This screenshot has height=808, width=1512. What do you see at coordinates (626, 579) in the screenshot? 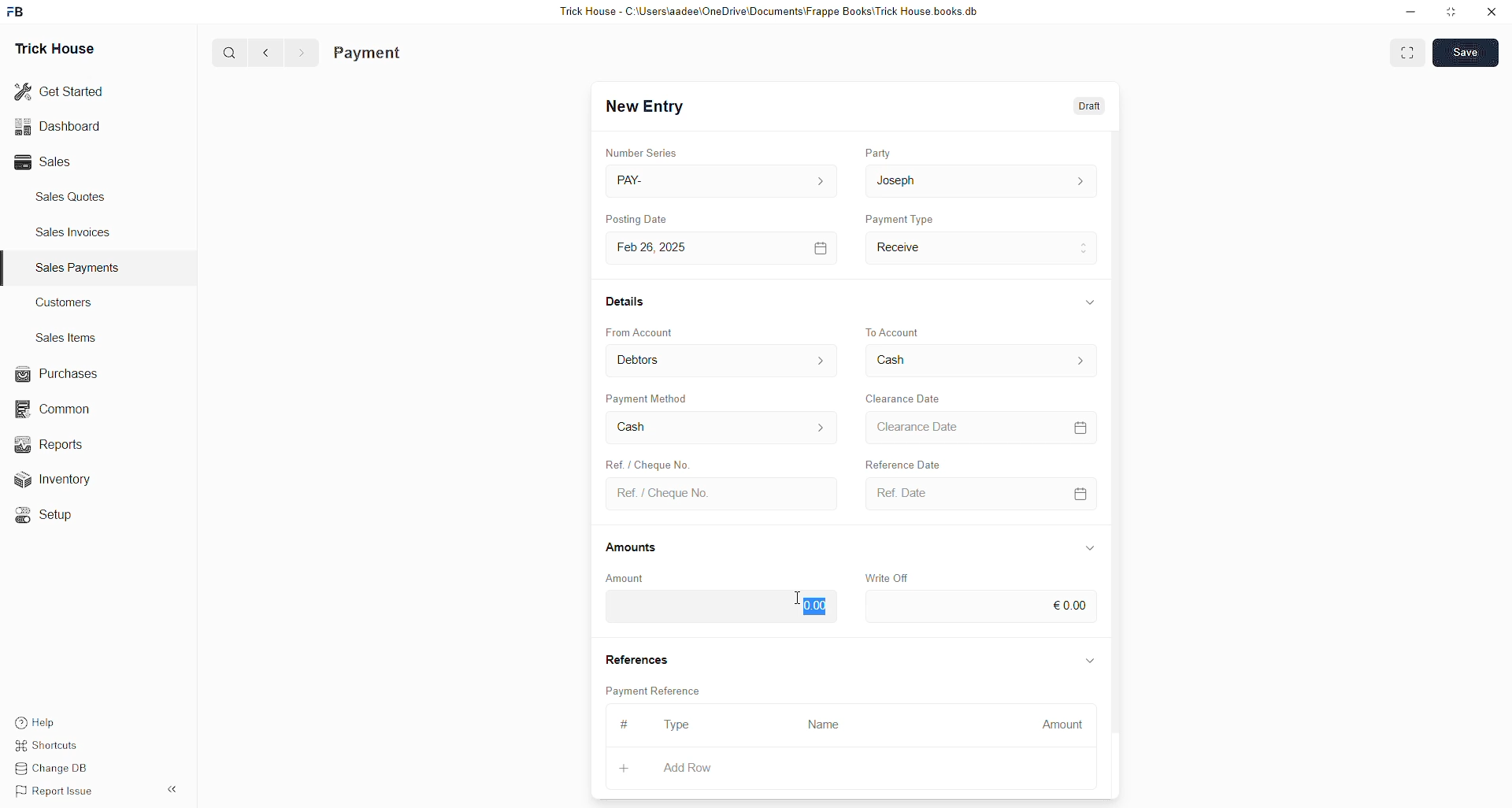
I see `Amount` at bounding box center [626, 579].